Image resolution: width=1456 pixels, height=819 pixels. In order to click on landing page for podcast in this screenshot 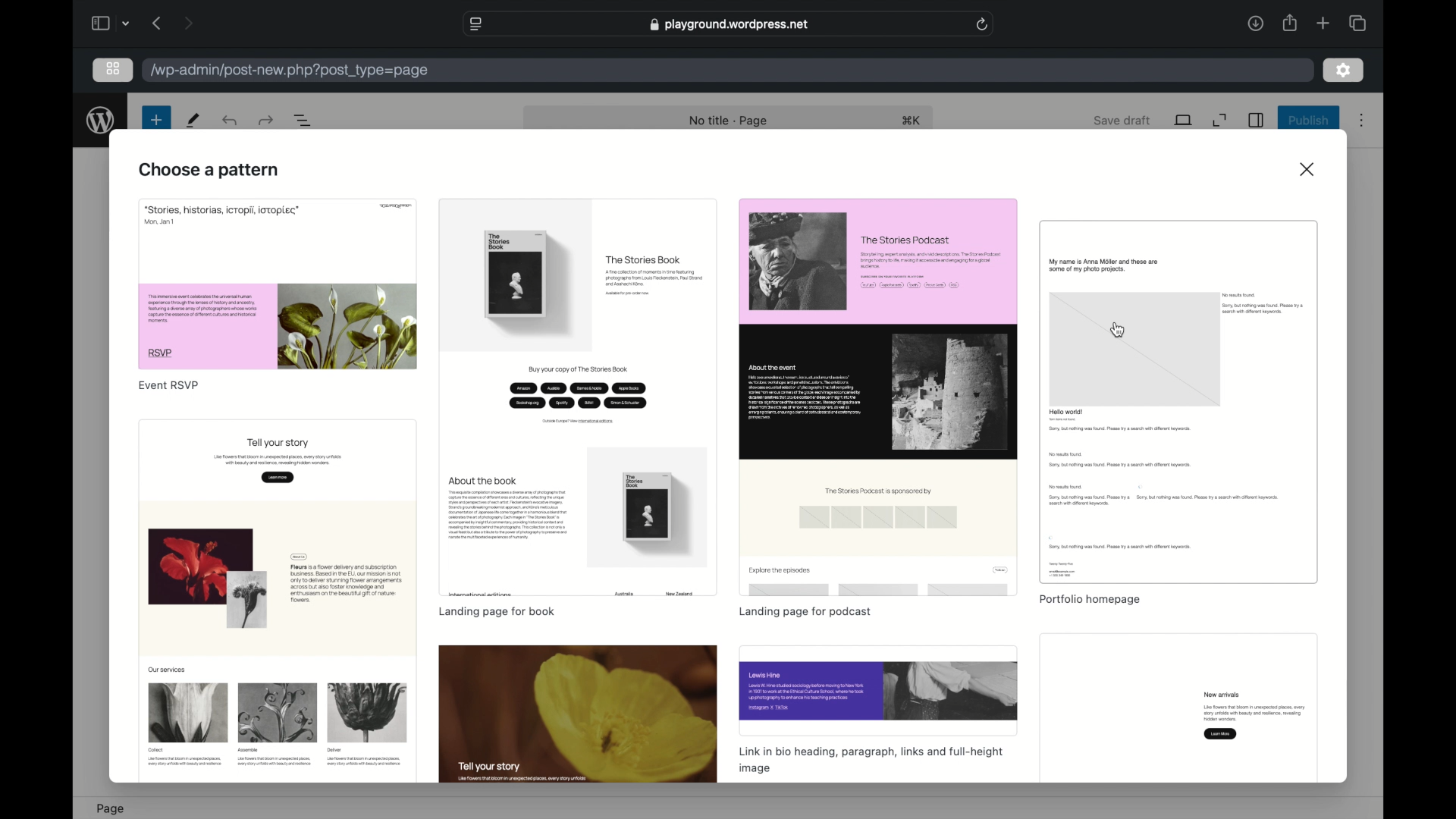, I will do `click(802, 613)`.